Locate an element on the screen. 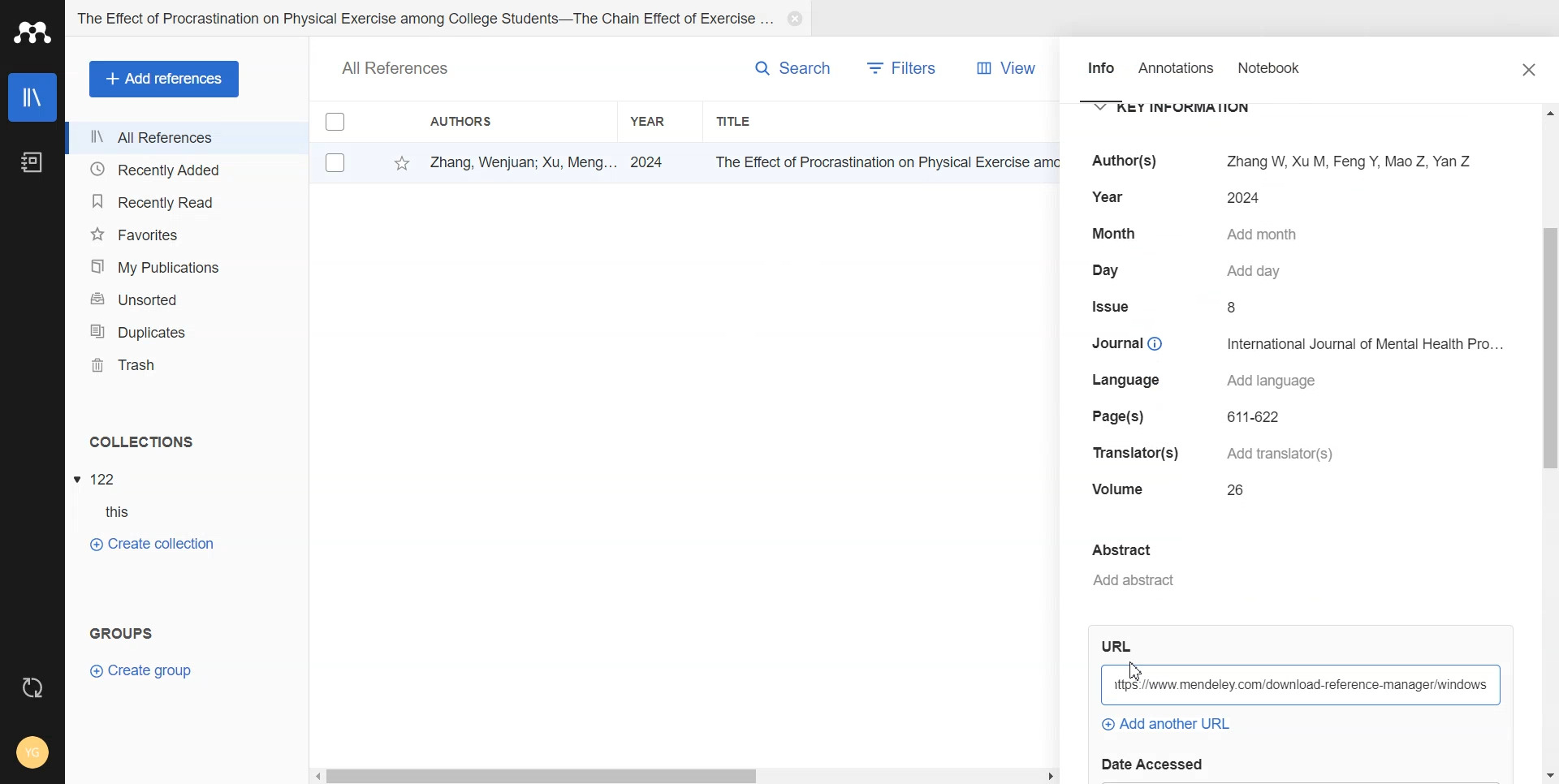  My Publication is located at coordinates (188, 267).